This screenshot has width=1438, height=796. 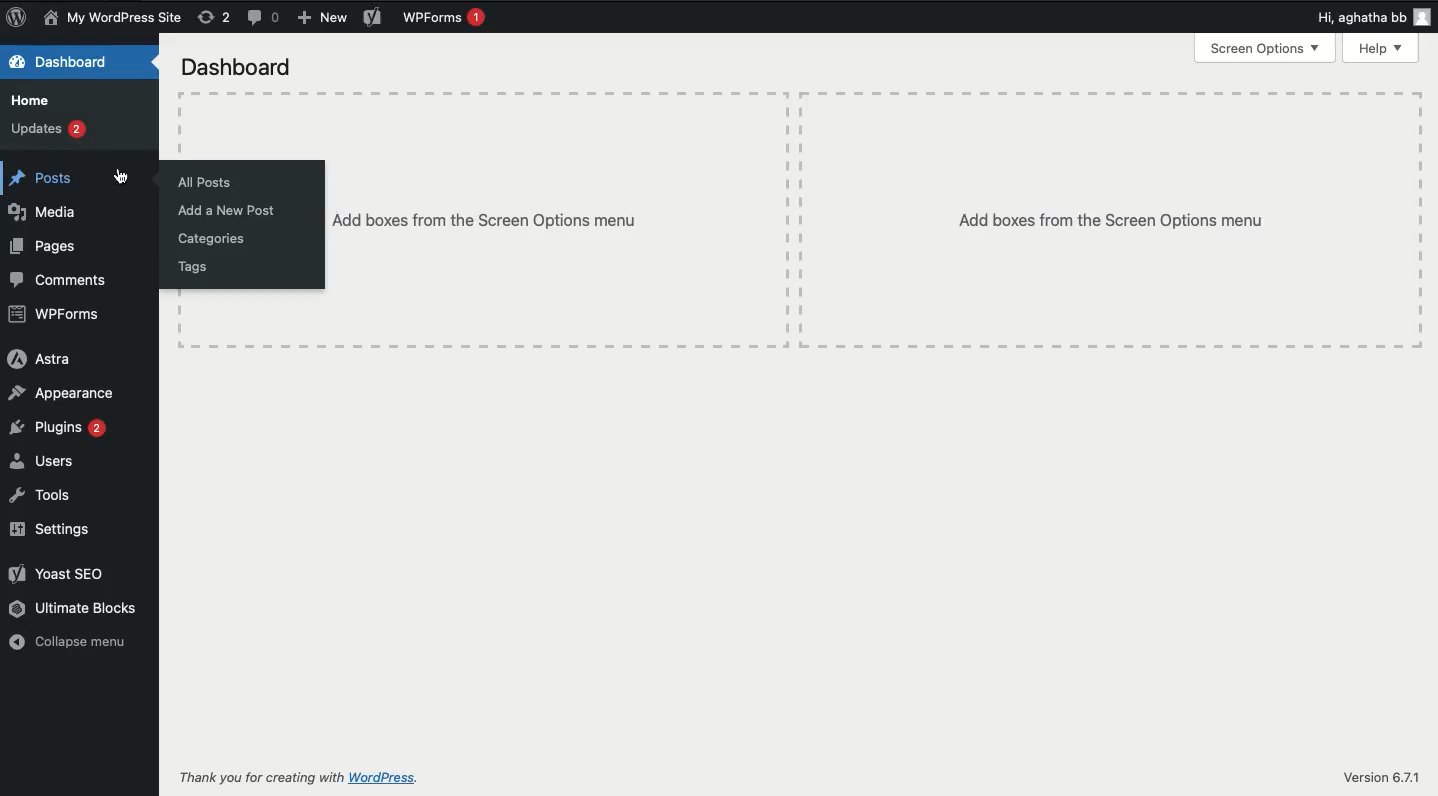 I want to click on Comments, so click(x=63, y=282).